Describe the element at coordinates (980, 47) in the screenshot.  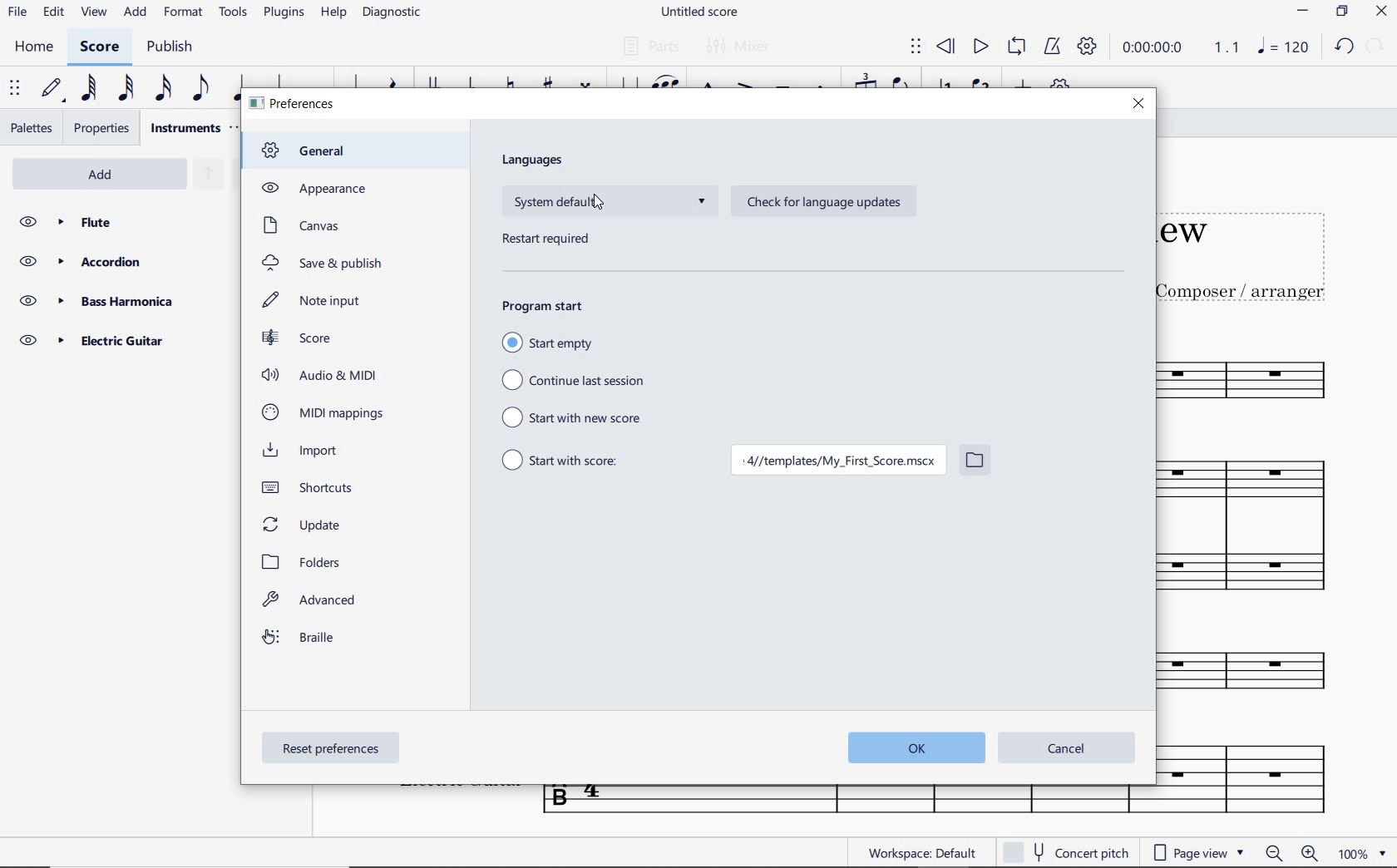
I see `play` at that location.